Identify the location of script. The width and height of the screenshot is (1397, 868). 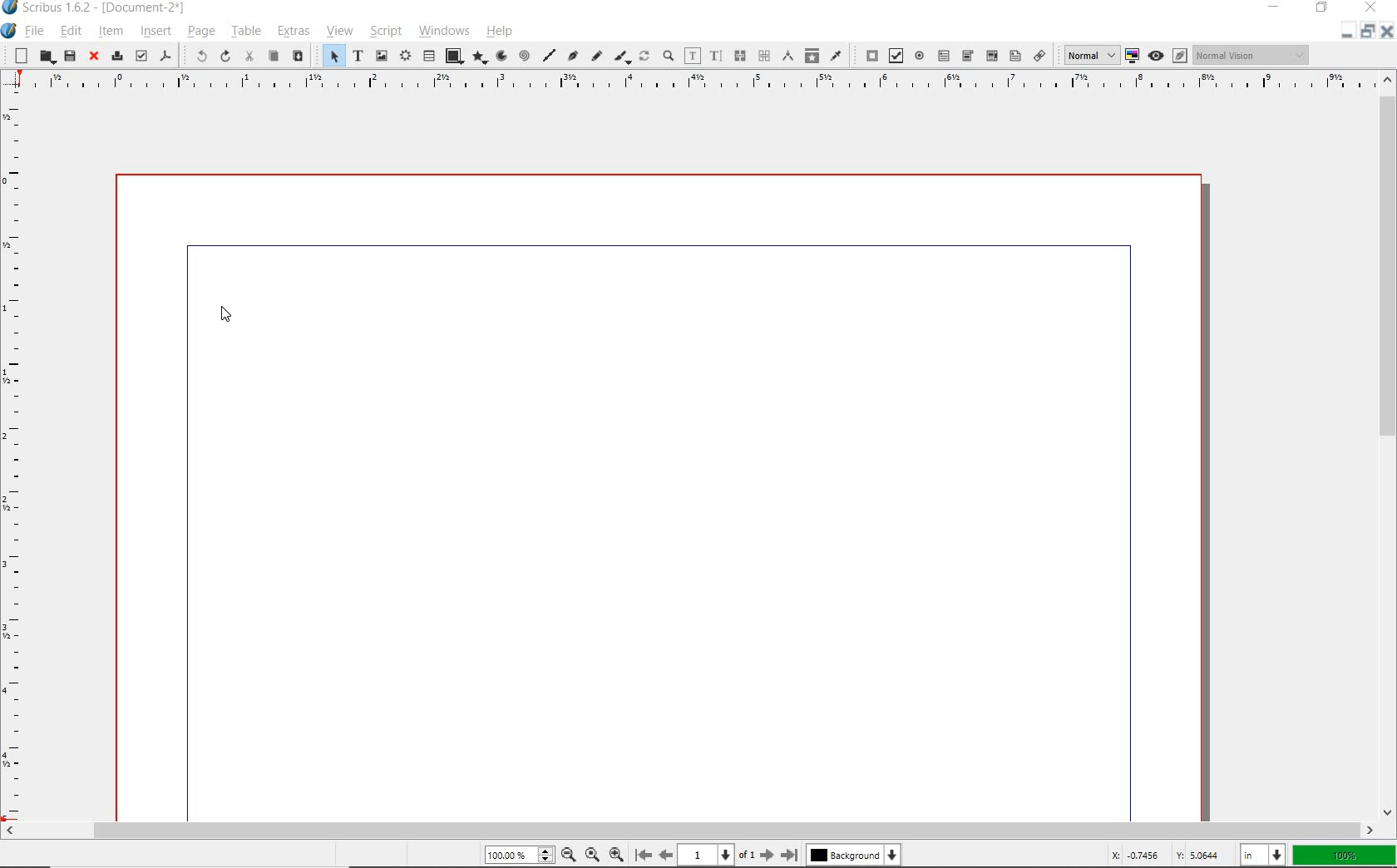
(384, 31).